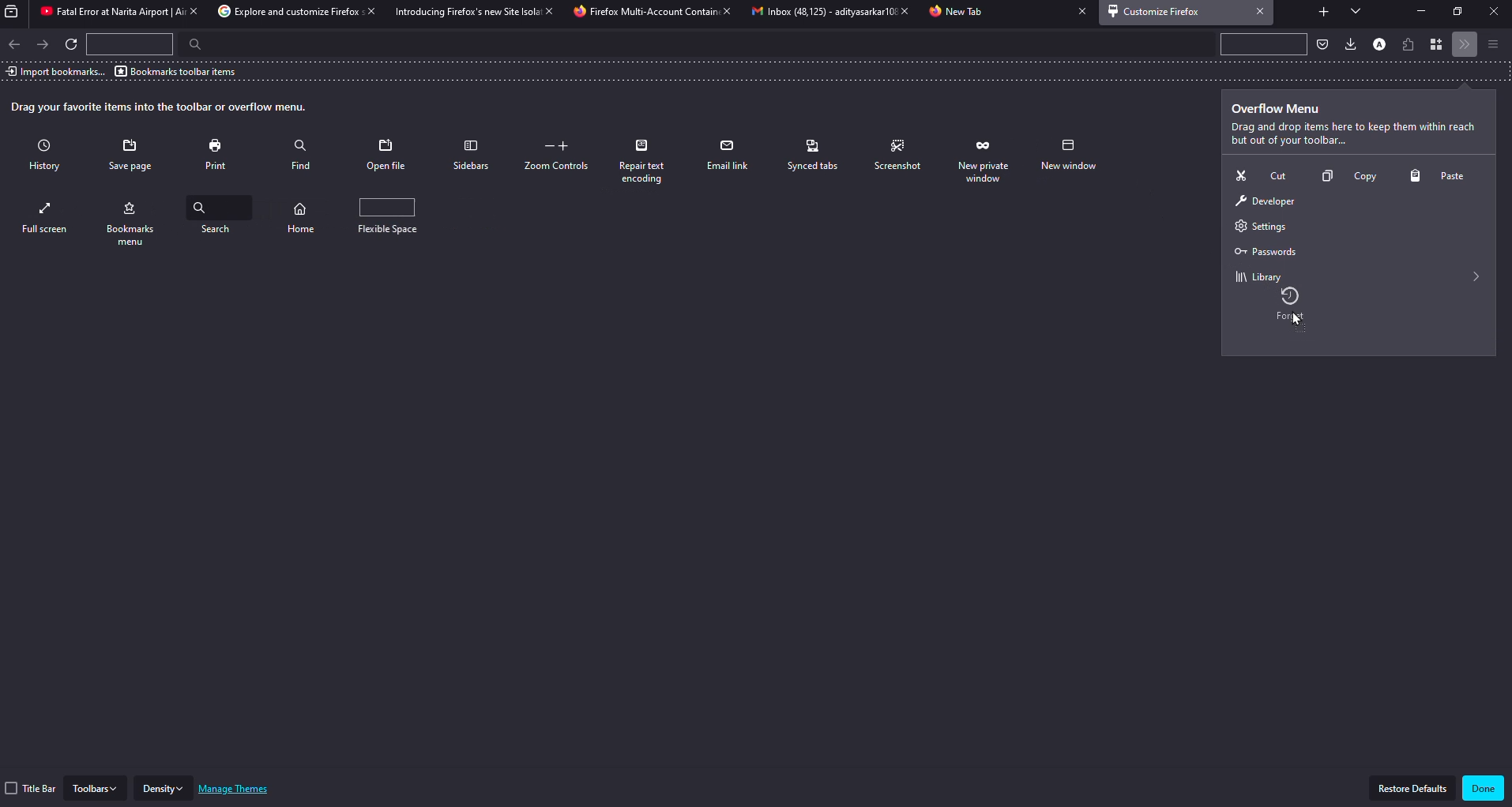 Image resolution: width=1512 pixels, height=807 pixels. What do you see at coordinates (1348, 43) in the screenshot?
I see `downloads` at bounding box center [1348, 43].